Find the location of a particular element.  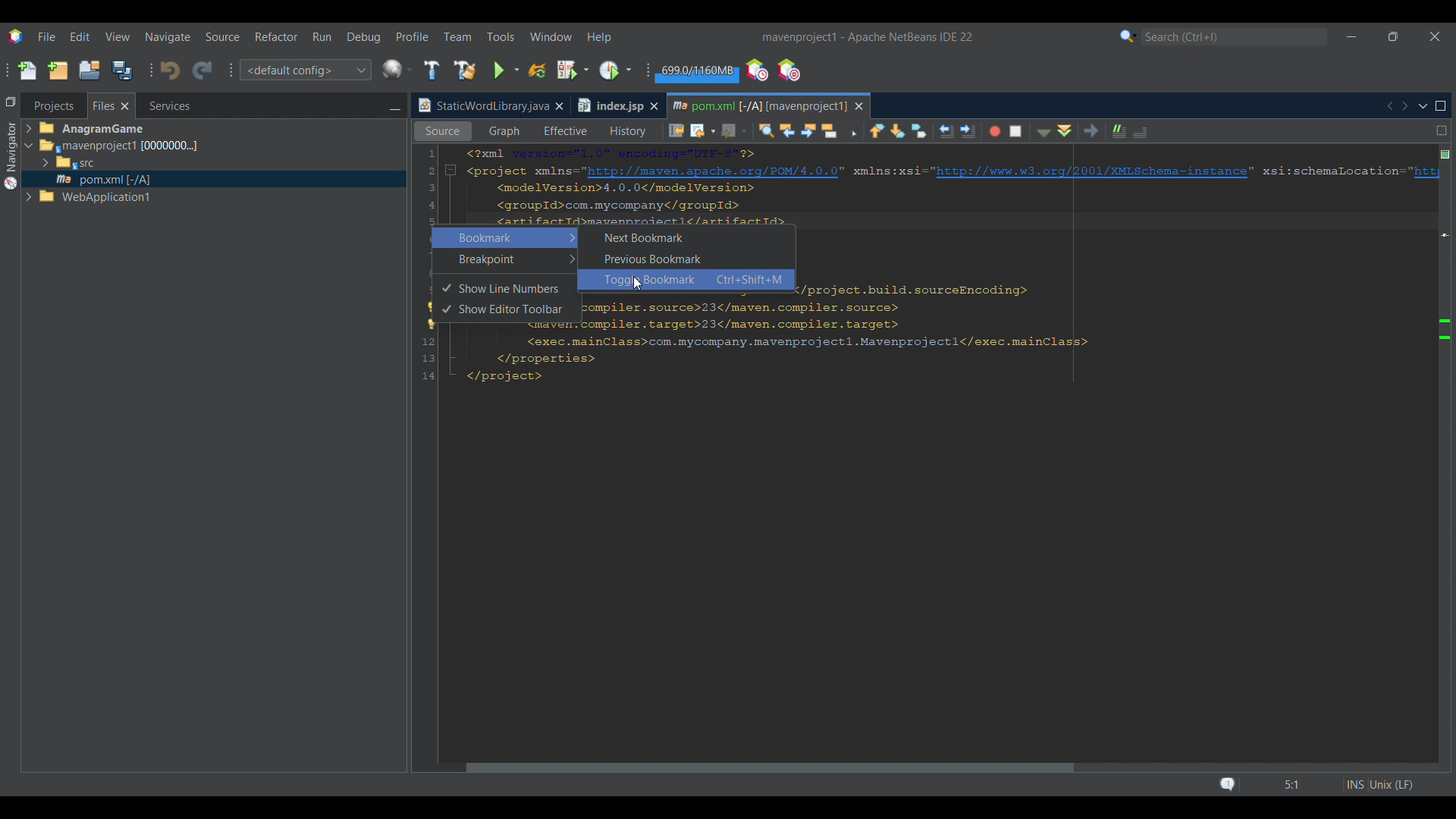

Undo is located at coordinates (170, 71).